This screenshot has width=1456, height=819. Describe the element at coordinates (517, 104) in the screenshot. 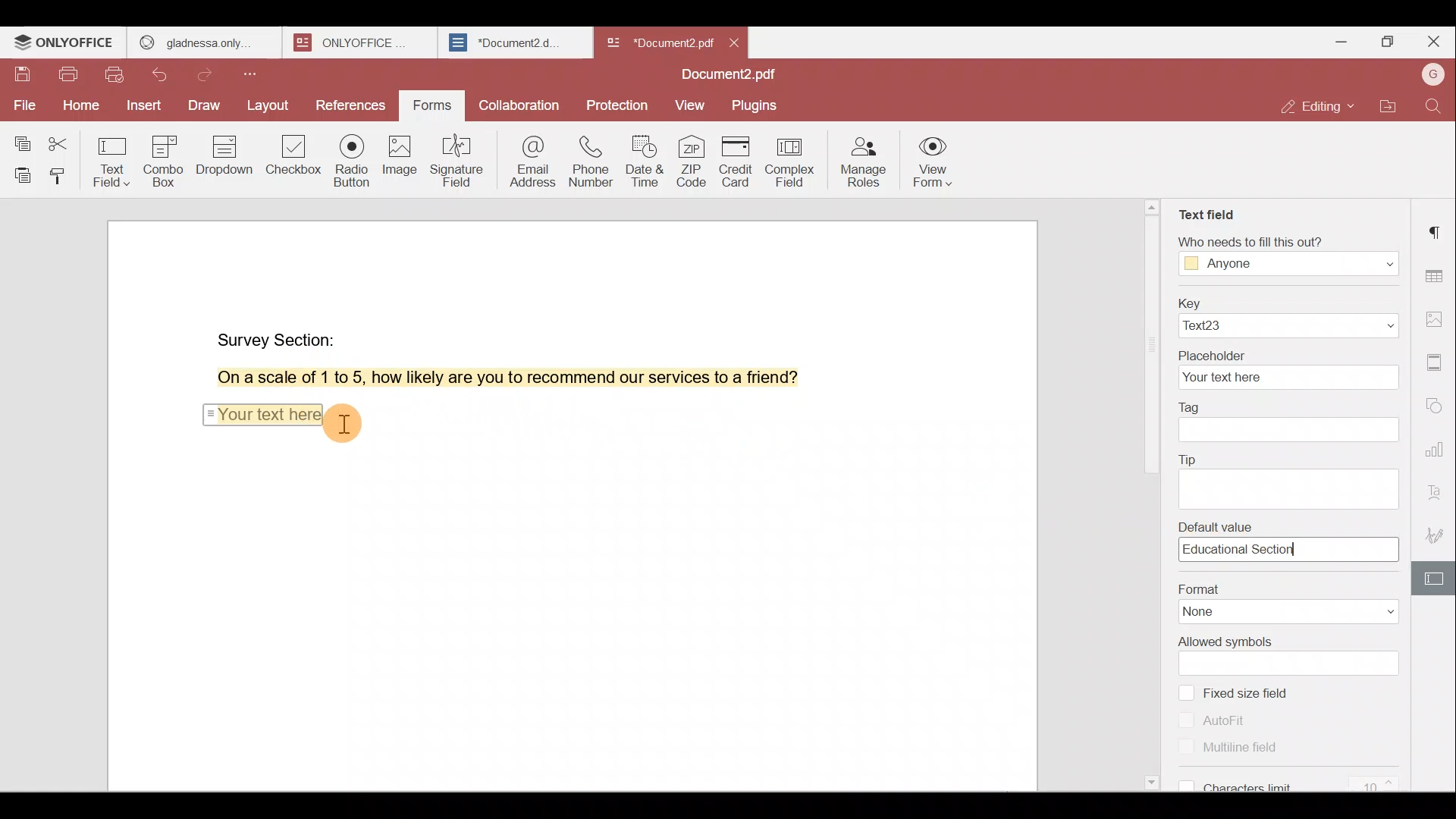

I see `Collaboration` at that location.